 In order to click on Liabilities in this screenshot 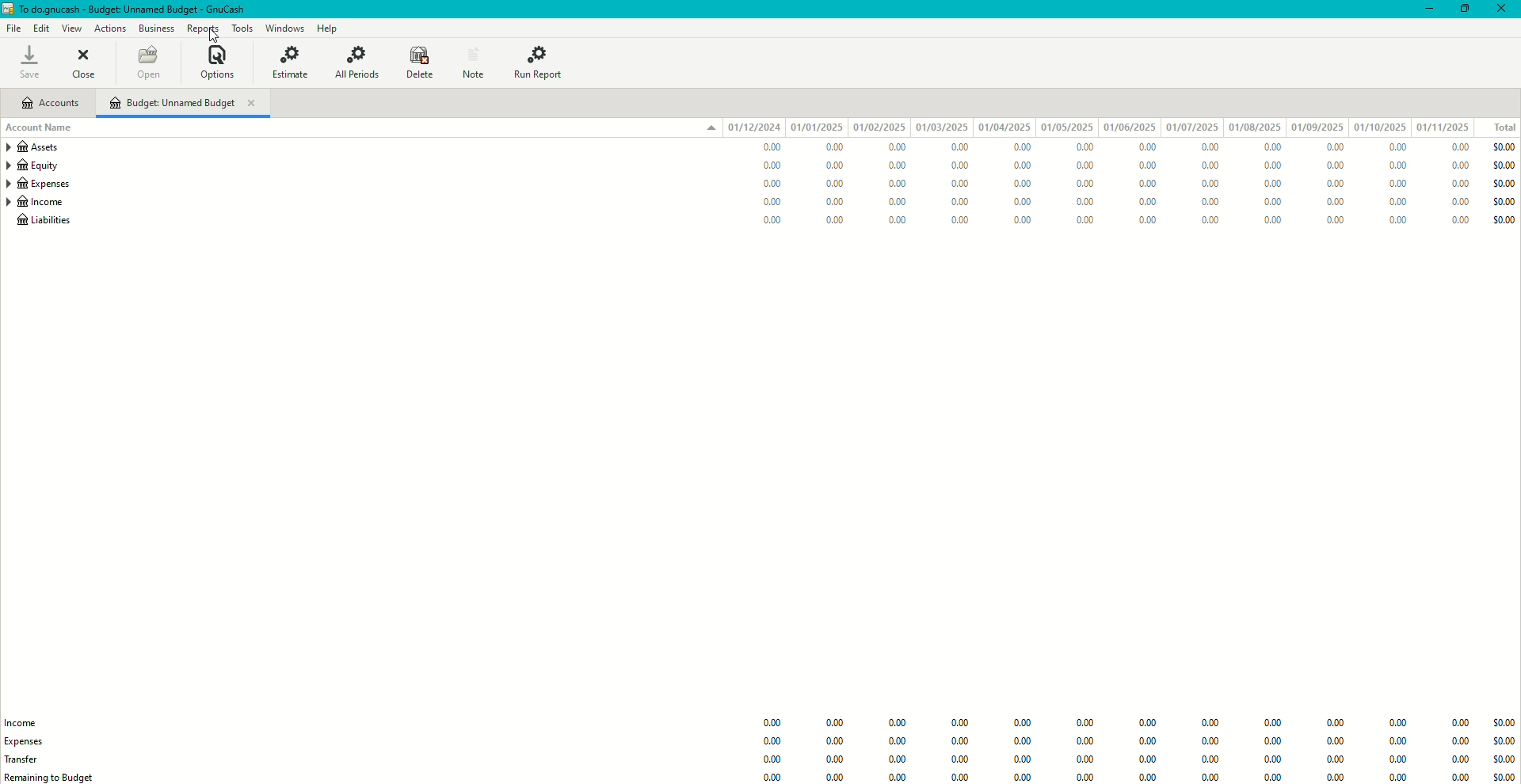, I will do `click(43, 223)`.